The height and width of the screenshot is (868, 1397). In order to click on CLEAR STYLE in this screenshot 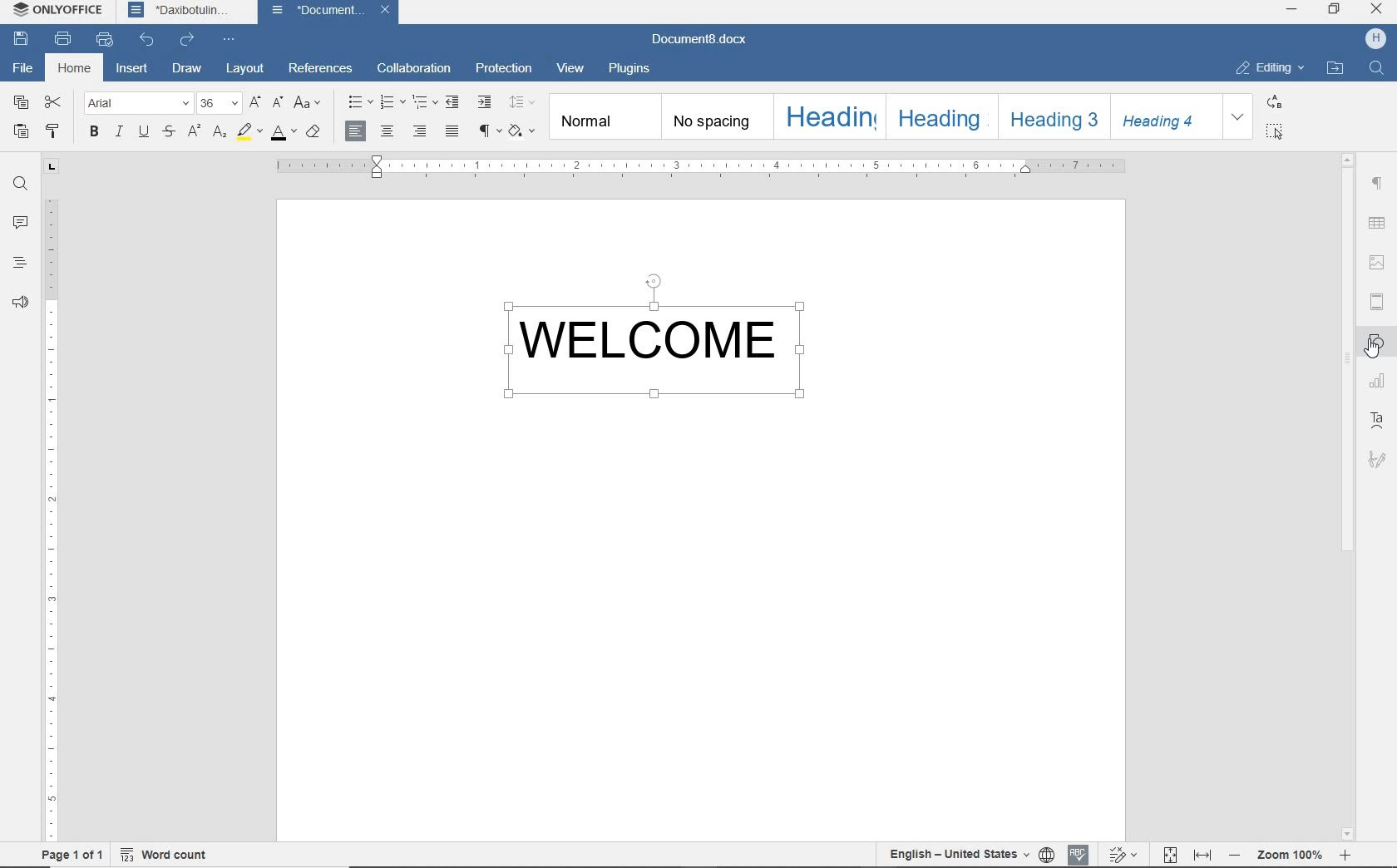, I will do `click(521, 131)`.